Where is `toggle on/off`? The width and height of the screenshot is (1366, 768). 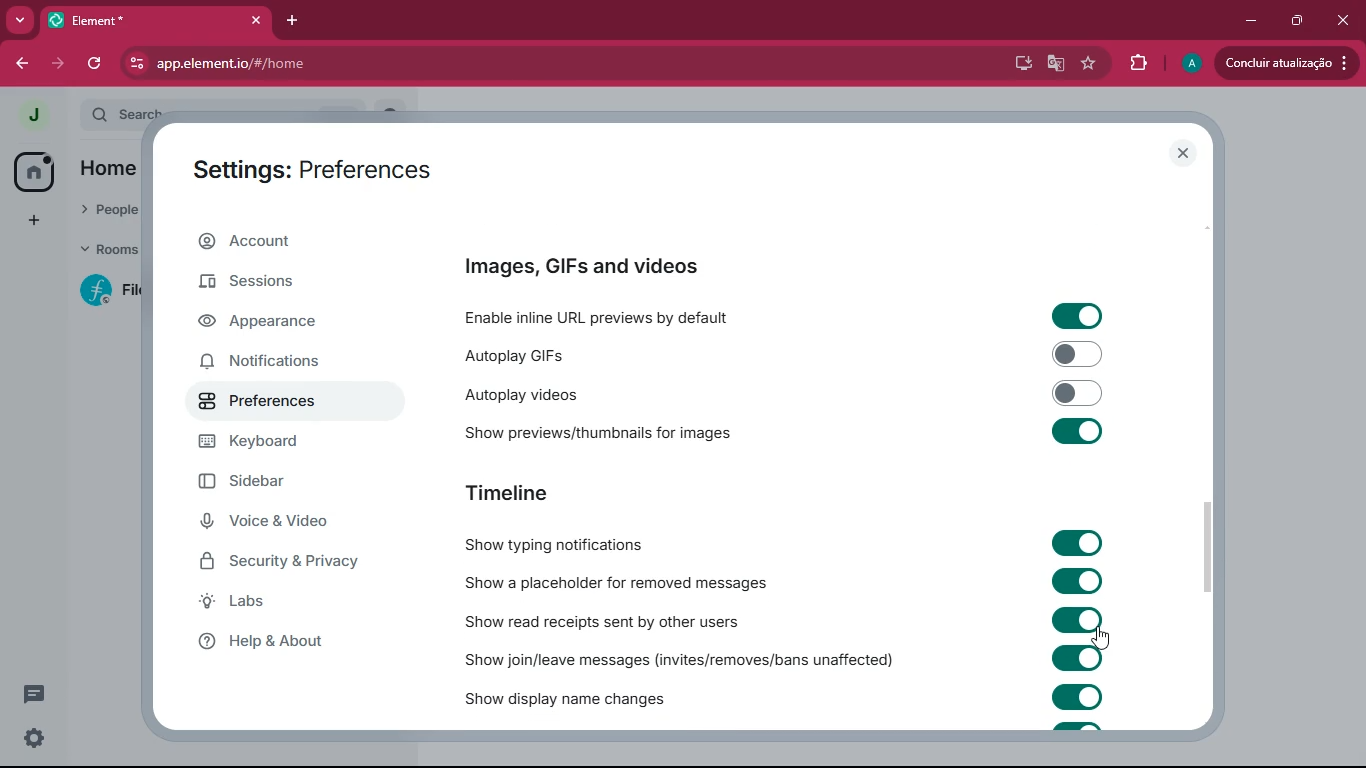
toggle on/off is located at coordinates (1078, 620).